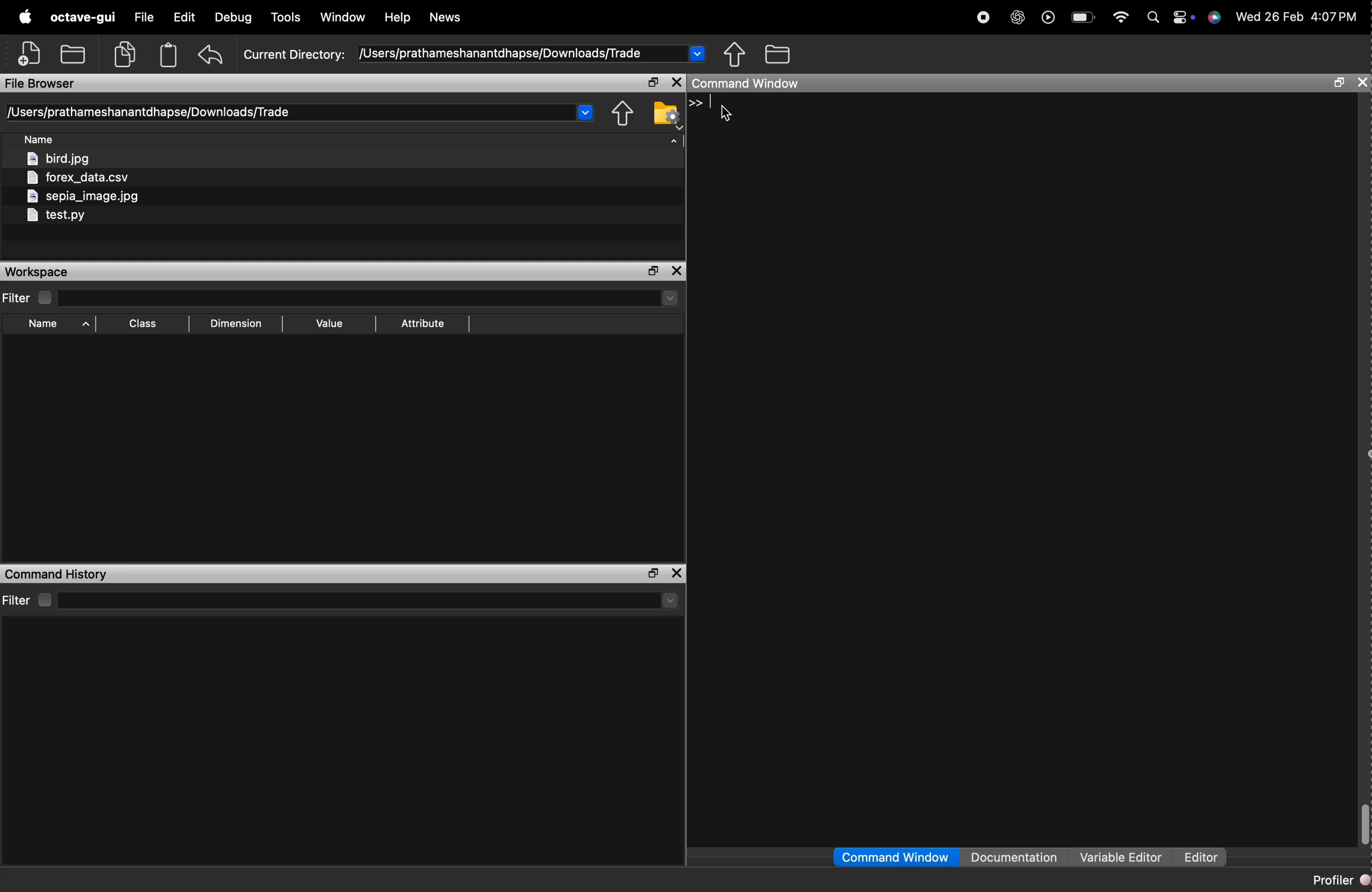 The height and width of the screenshot is (892, 1372). I want to click on chatgpt, so click(1017, 18).